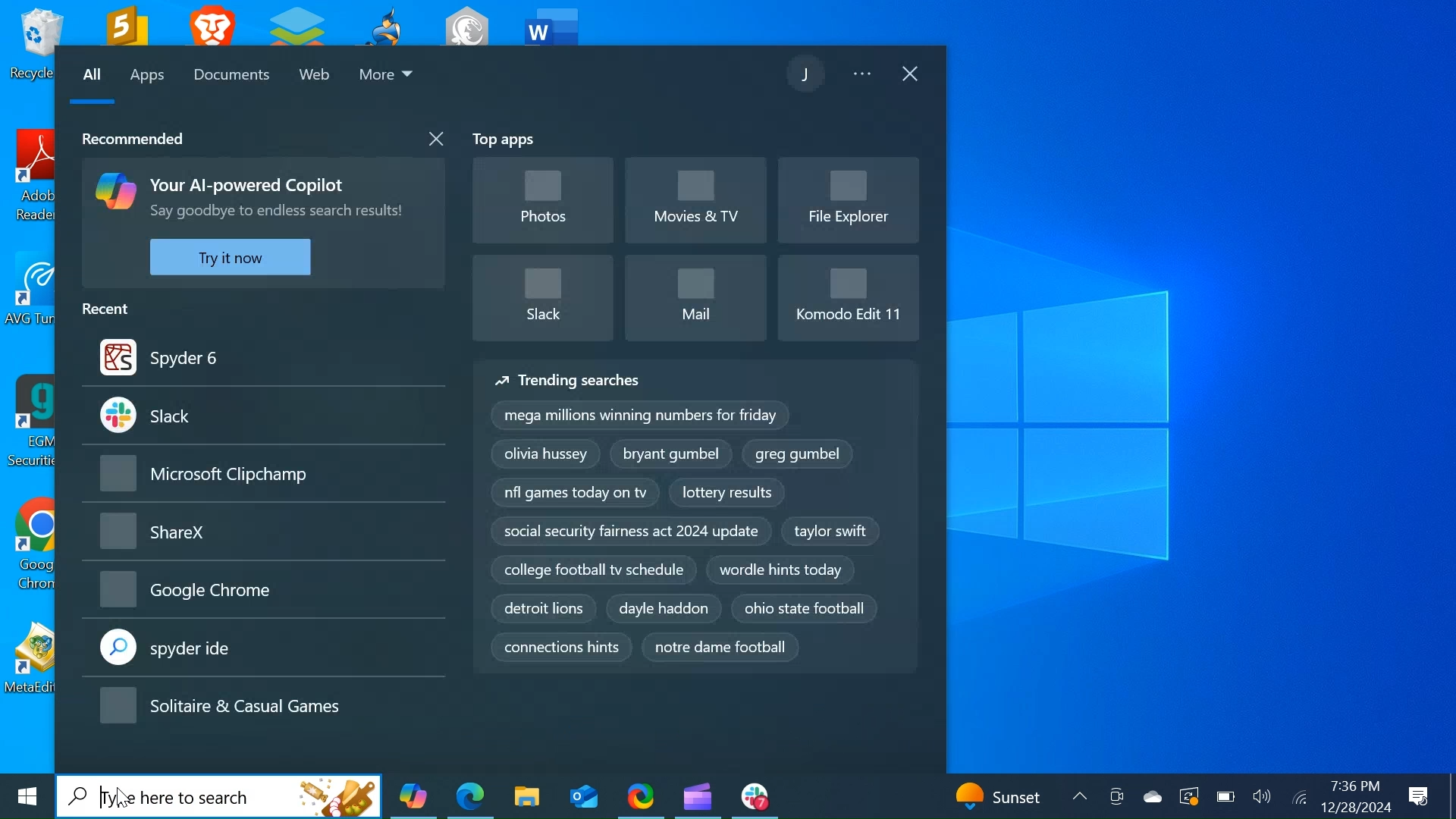 The height and width of the screenshot is (819, 1456). I want to click on Date, so click(1354, 808).